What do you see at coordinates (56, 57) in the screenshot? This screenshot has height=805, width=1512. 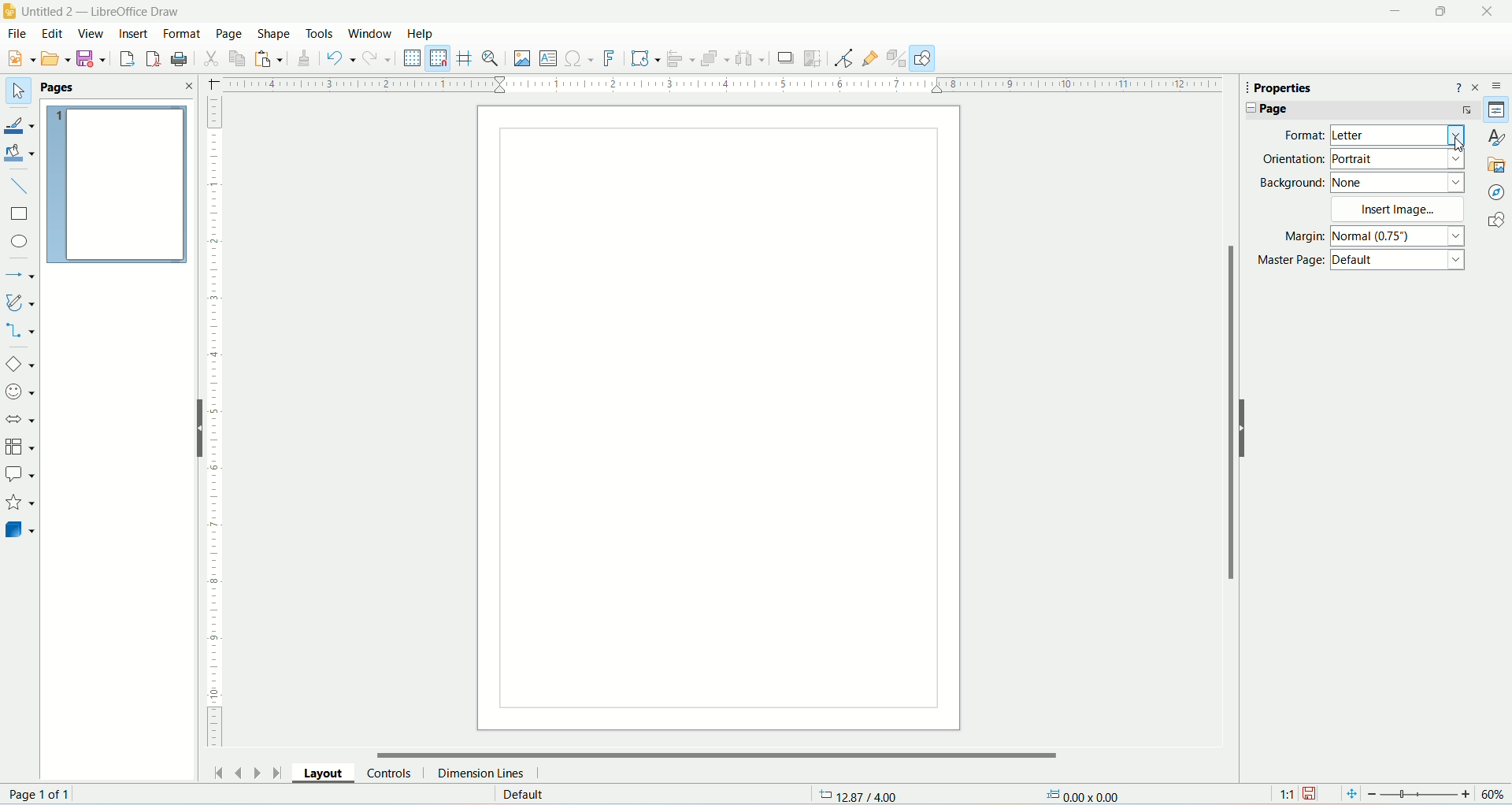 I see `` at bounding box center [56, 57].